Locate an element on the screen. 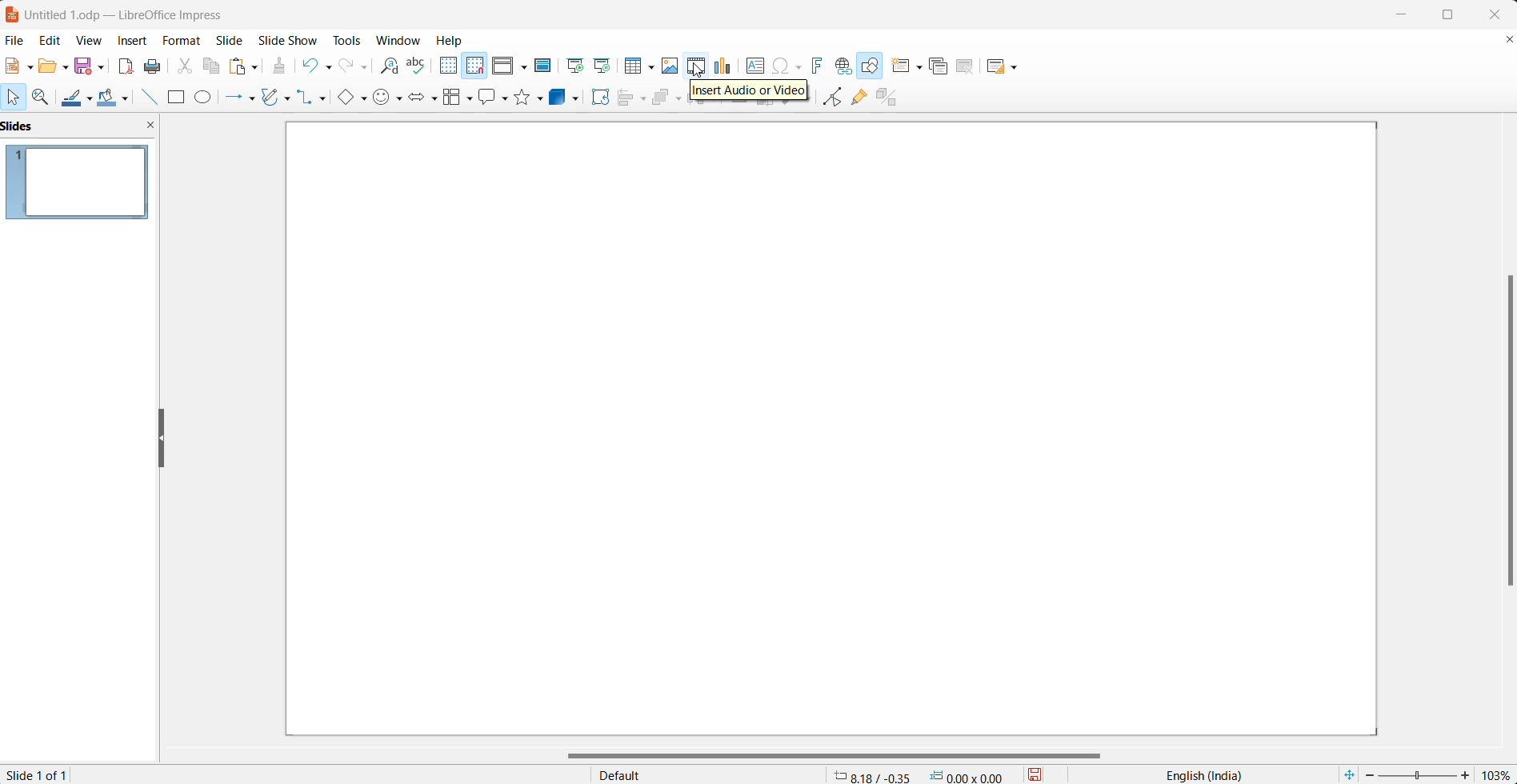 This screenshot has height=784, width=1517. slideshow is located at coordinates (287, 40).